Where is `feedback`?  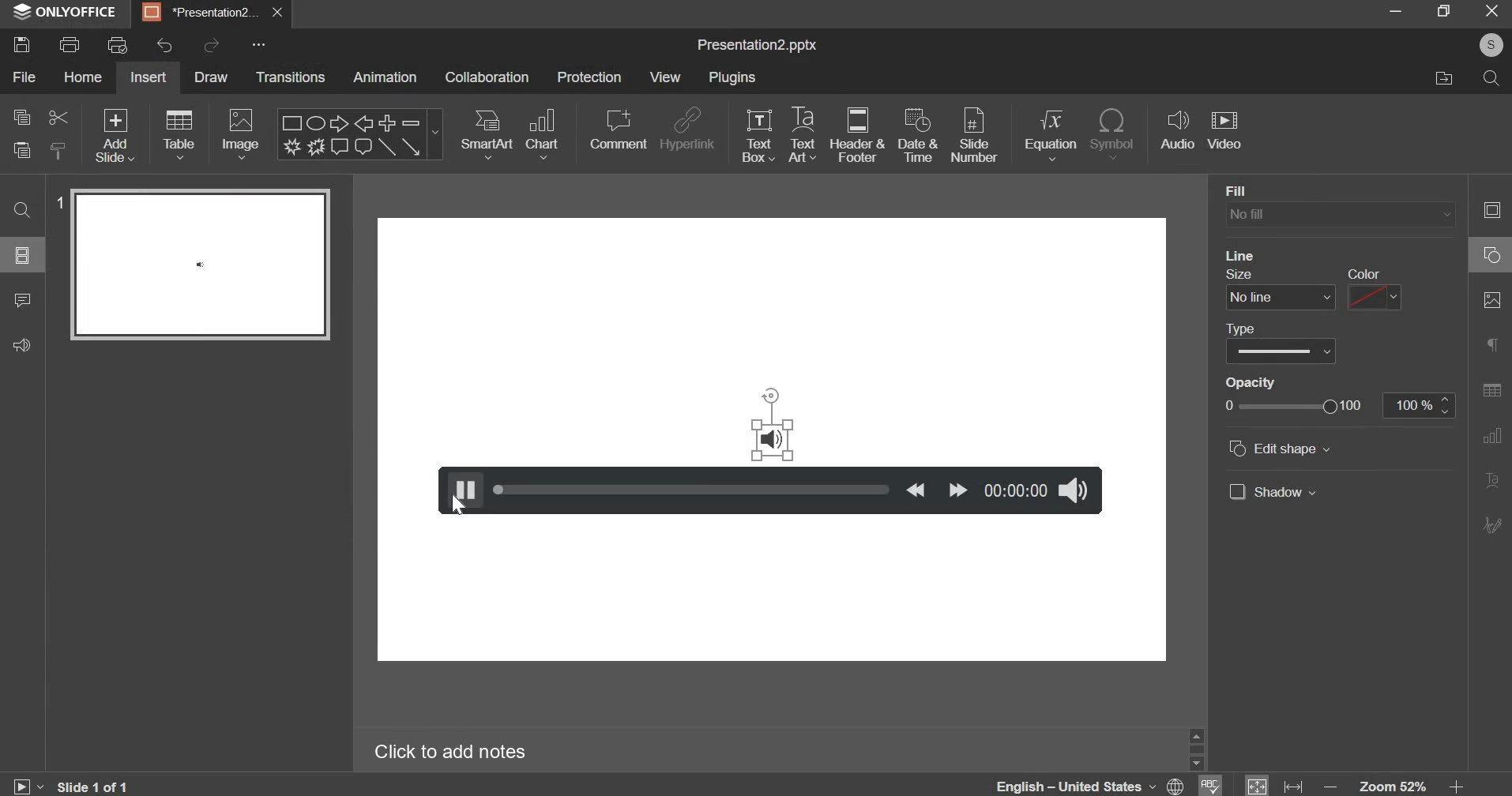
feedback is located at coordinates (28, 346).